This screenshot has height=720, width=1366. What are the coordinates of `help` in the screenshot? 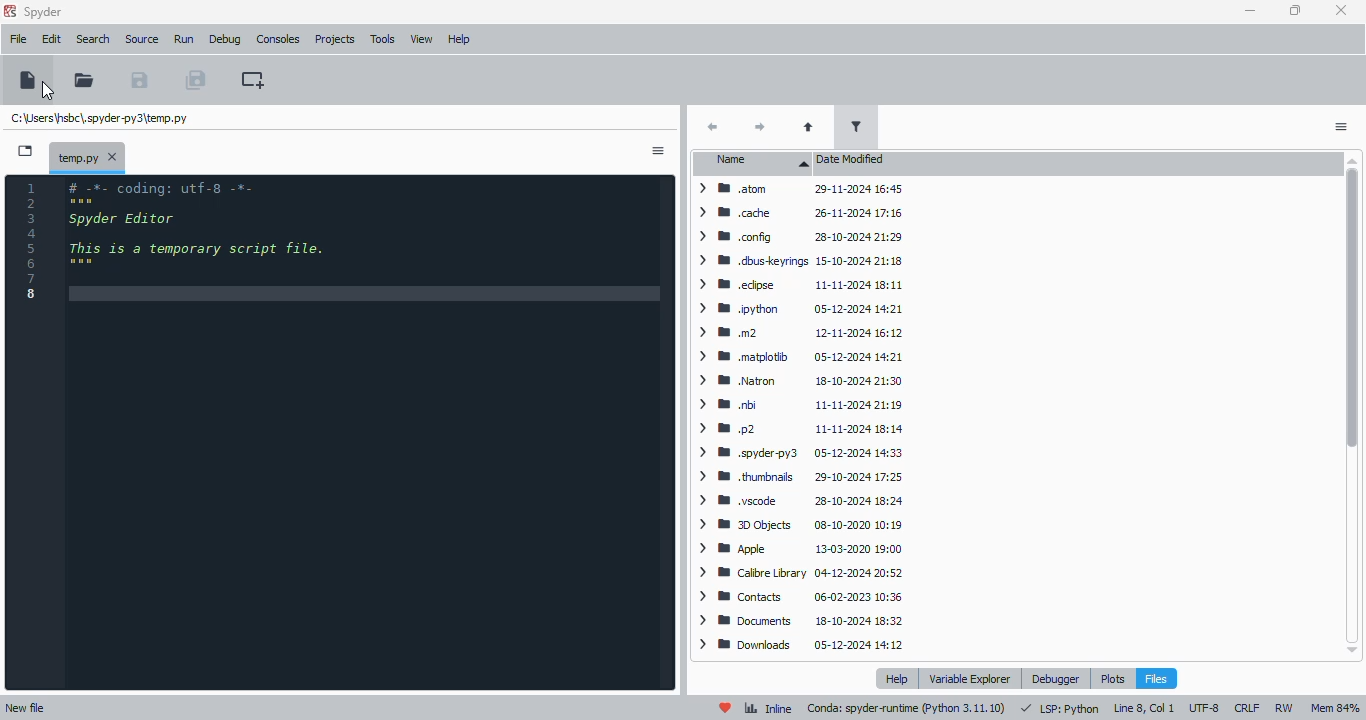 It's located at (897, 678).